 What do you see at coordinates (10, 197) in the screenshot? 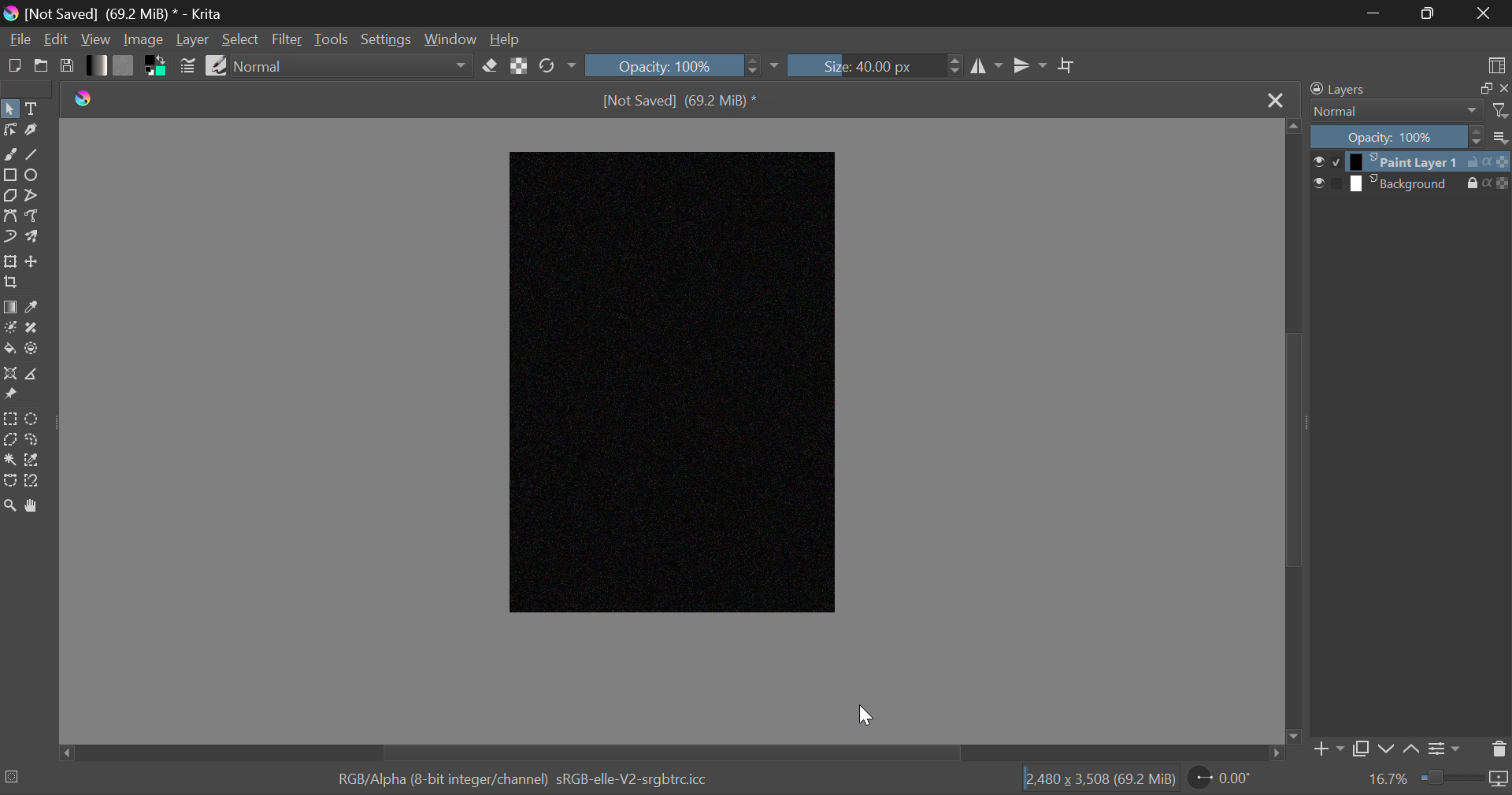
I see `Polygons` at bounding box center [10, 197].